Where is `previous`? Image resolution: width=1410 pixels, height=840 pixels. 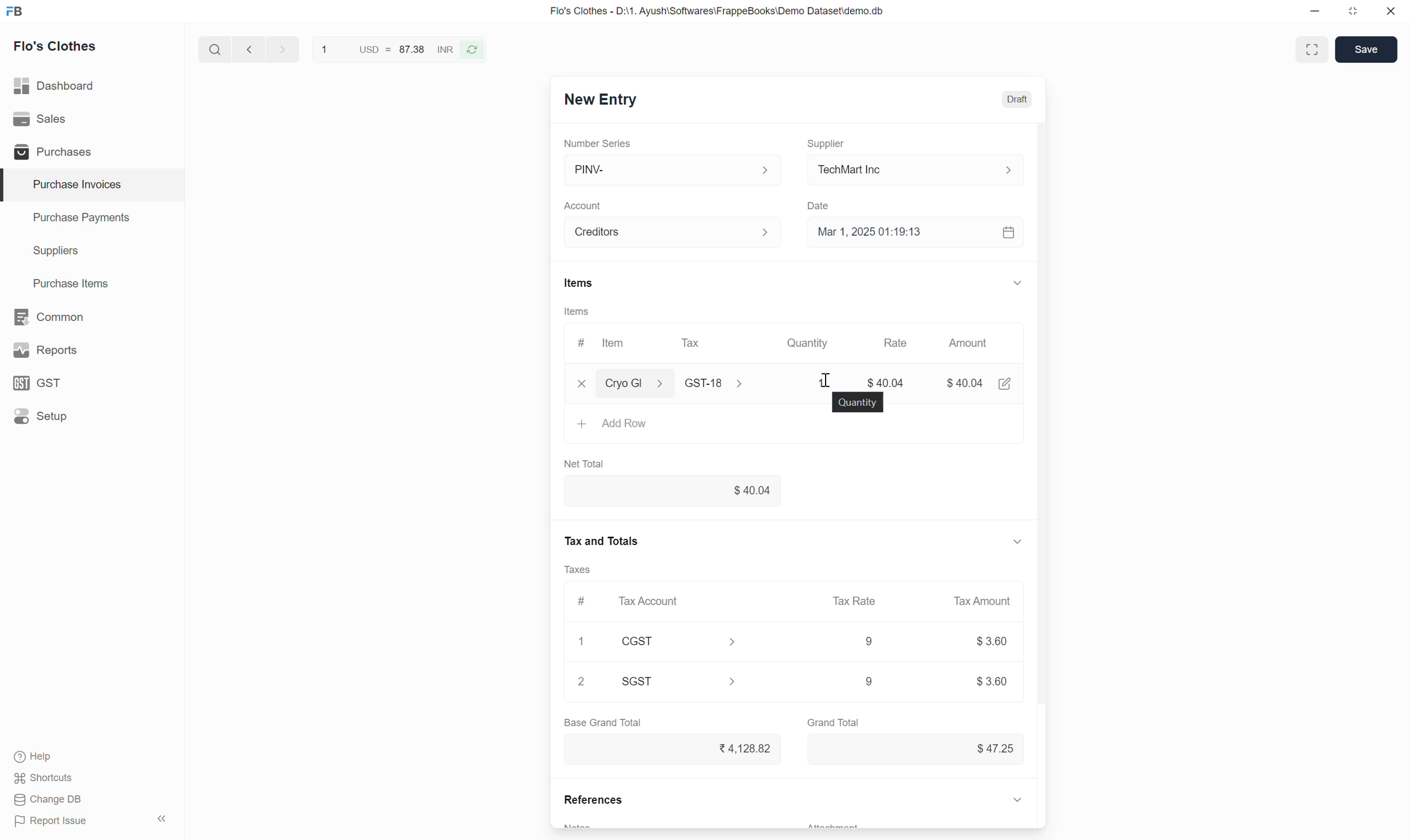 previous is located at coordinates (280, 48).